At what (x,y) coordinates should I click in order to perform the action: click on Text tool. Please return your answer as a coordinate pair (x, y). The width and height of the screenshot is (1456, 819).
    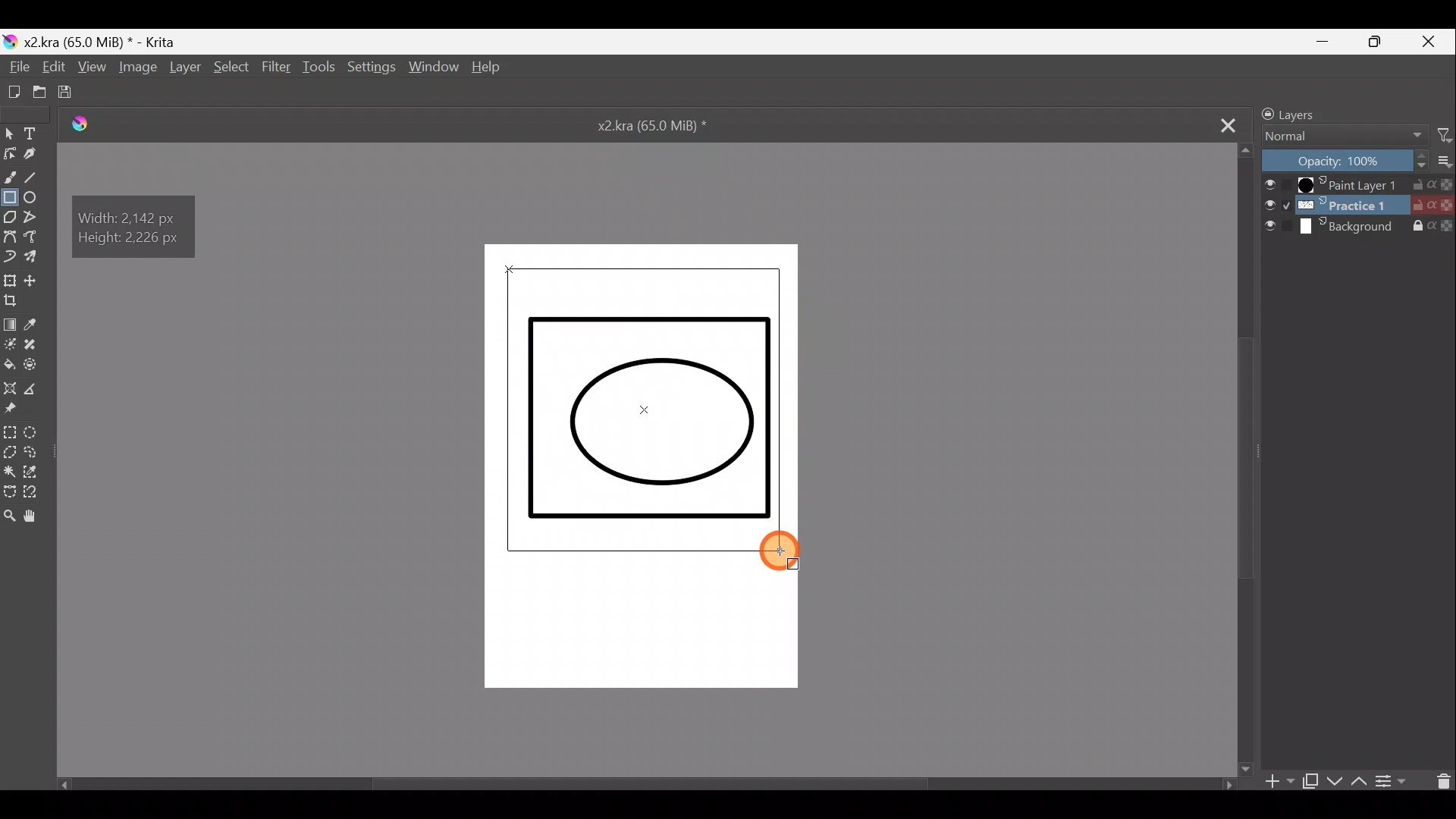
    Looking at the image, I should click on (30, 132).